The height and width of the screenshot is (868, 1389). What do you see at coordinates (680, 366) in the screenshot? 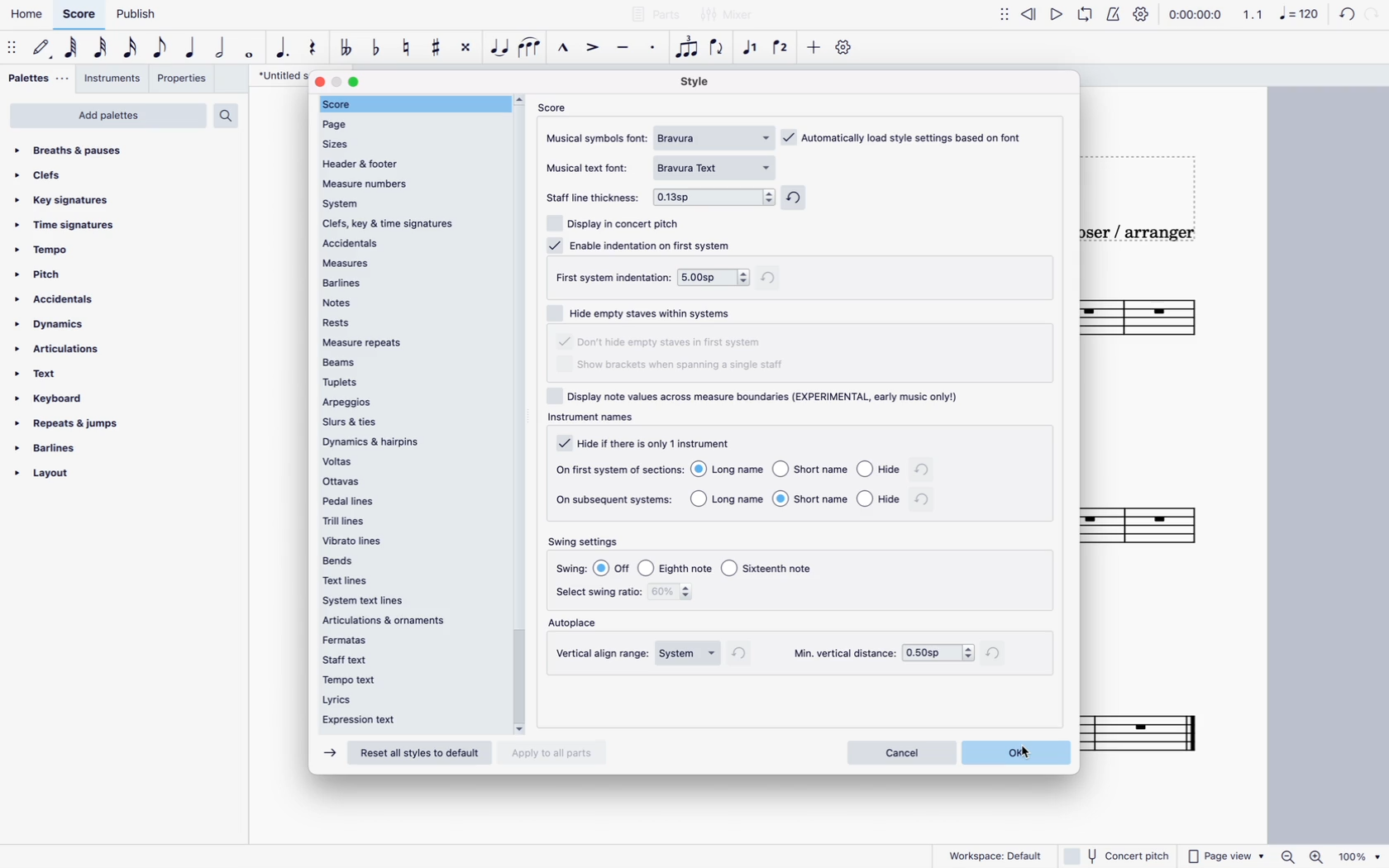
I see `show brackets` at bounding box center [680, 366].